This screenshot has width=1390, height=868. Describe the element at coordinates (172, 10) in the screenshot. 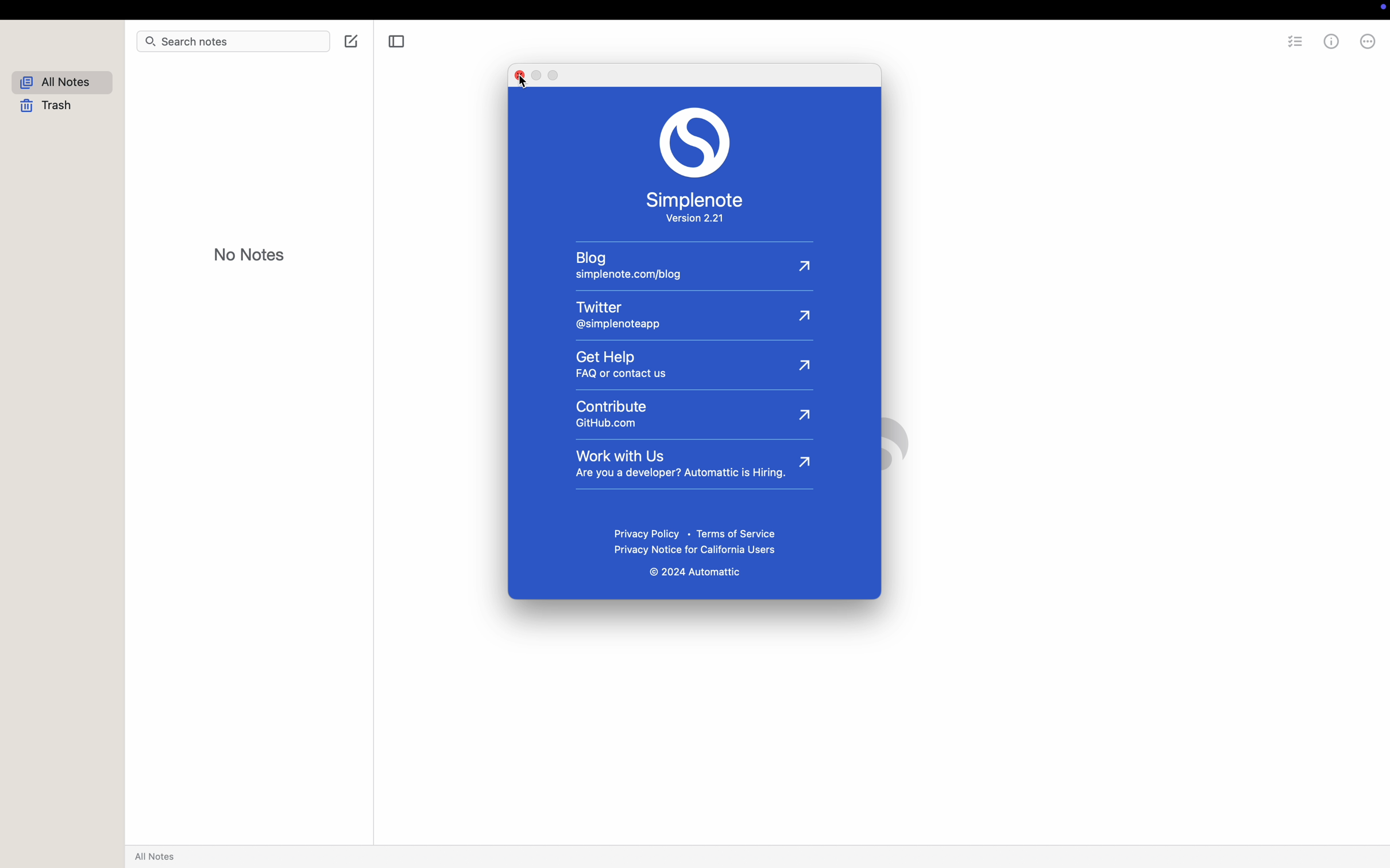

I see `edit` at that location.